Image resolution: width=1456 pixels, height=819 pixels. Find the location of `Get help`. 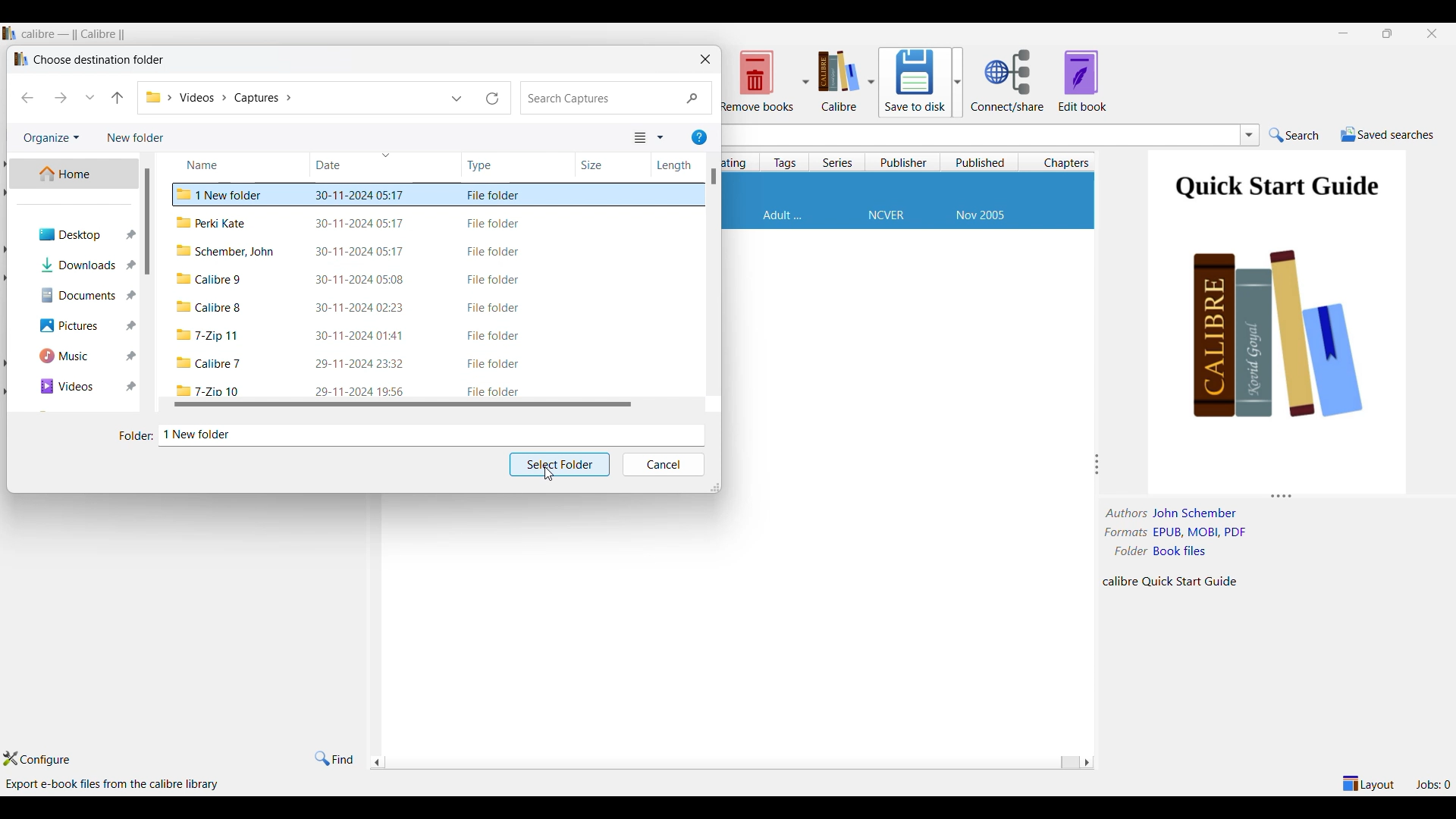

Get help is located at coordinates (699, 137).